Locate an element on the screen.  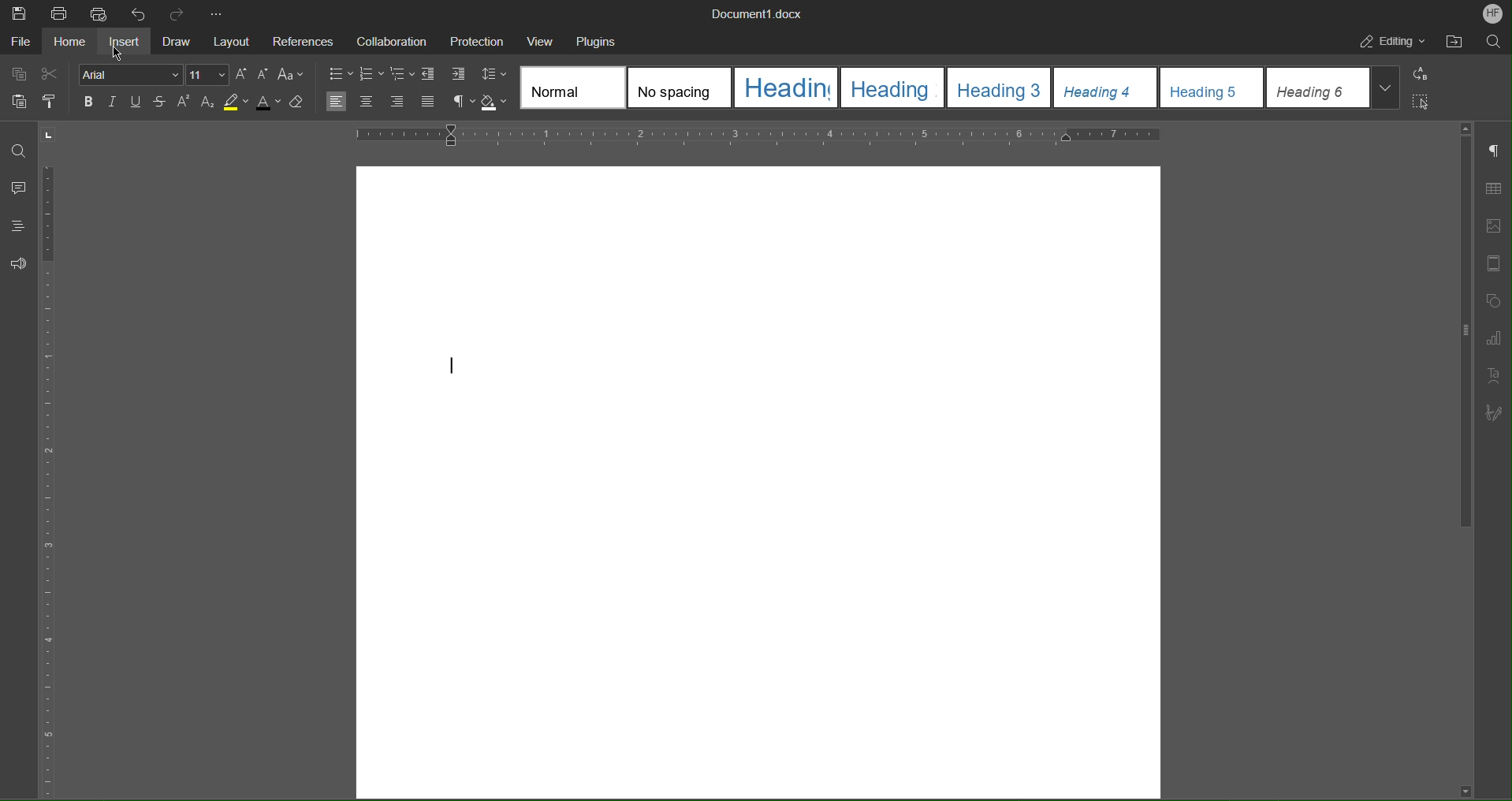
Insert is located at coordinates (125, 39).